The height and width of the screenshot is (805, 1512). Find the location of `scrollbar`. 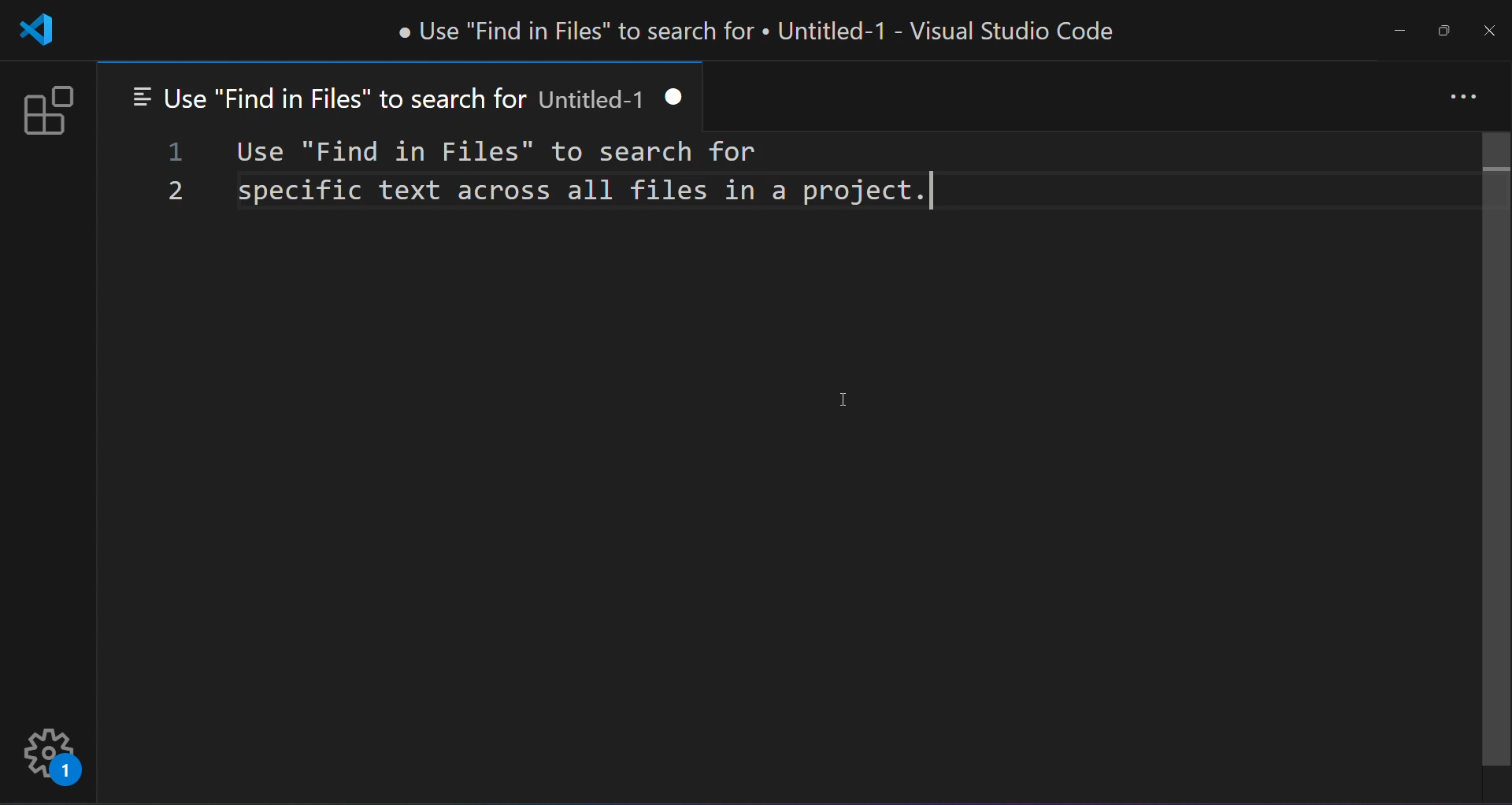

scrollbar is located at coordinates (1492, 451).